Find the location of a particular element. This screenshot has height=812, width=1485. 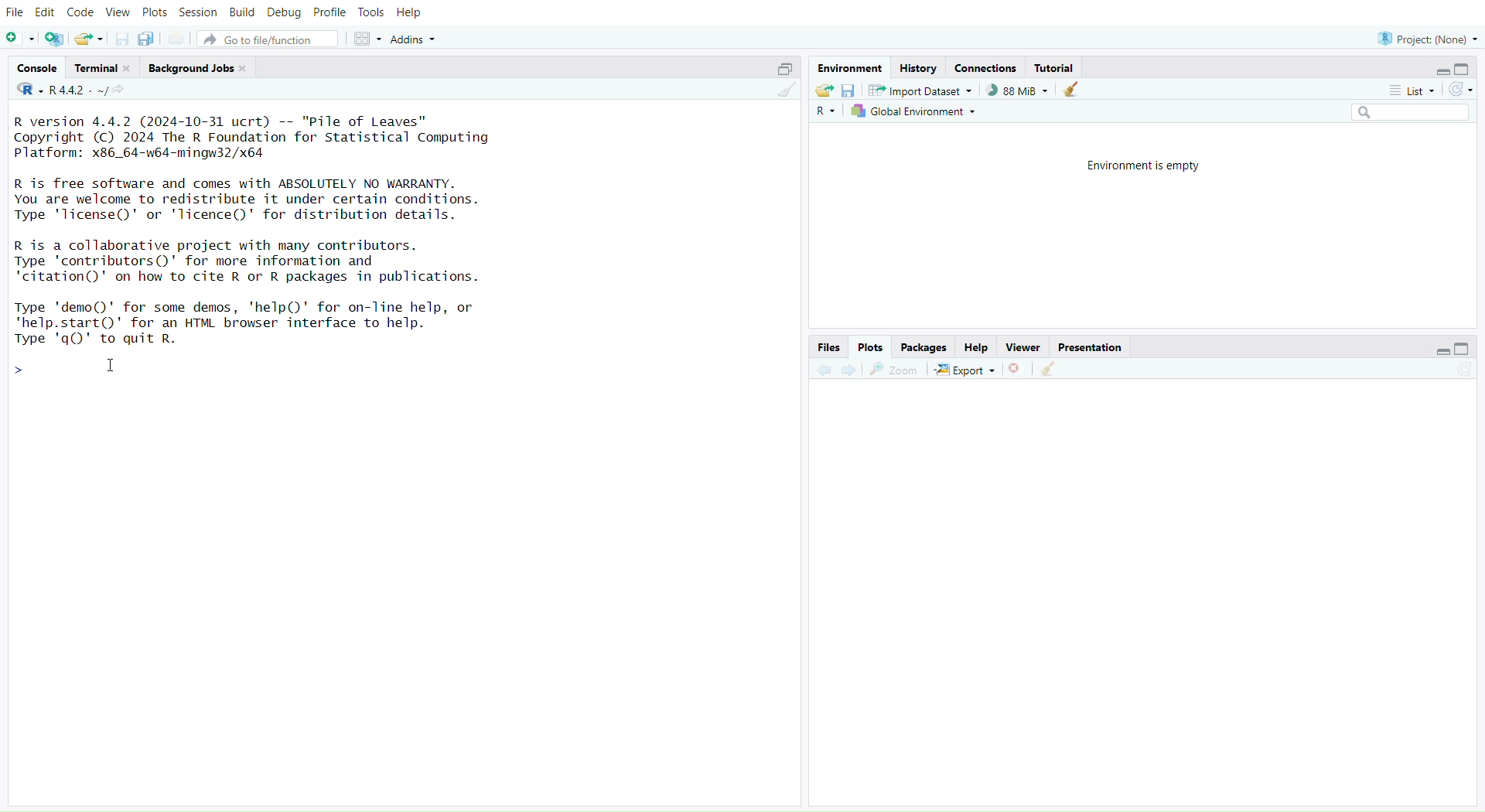

debug is located at coordinates (282, 14).